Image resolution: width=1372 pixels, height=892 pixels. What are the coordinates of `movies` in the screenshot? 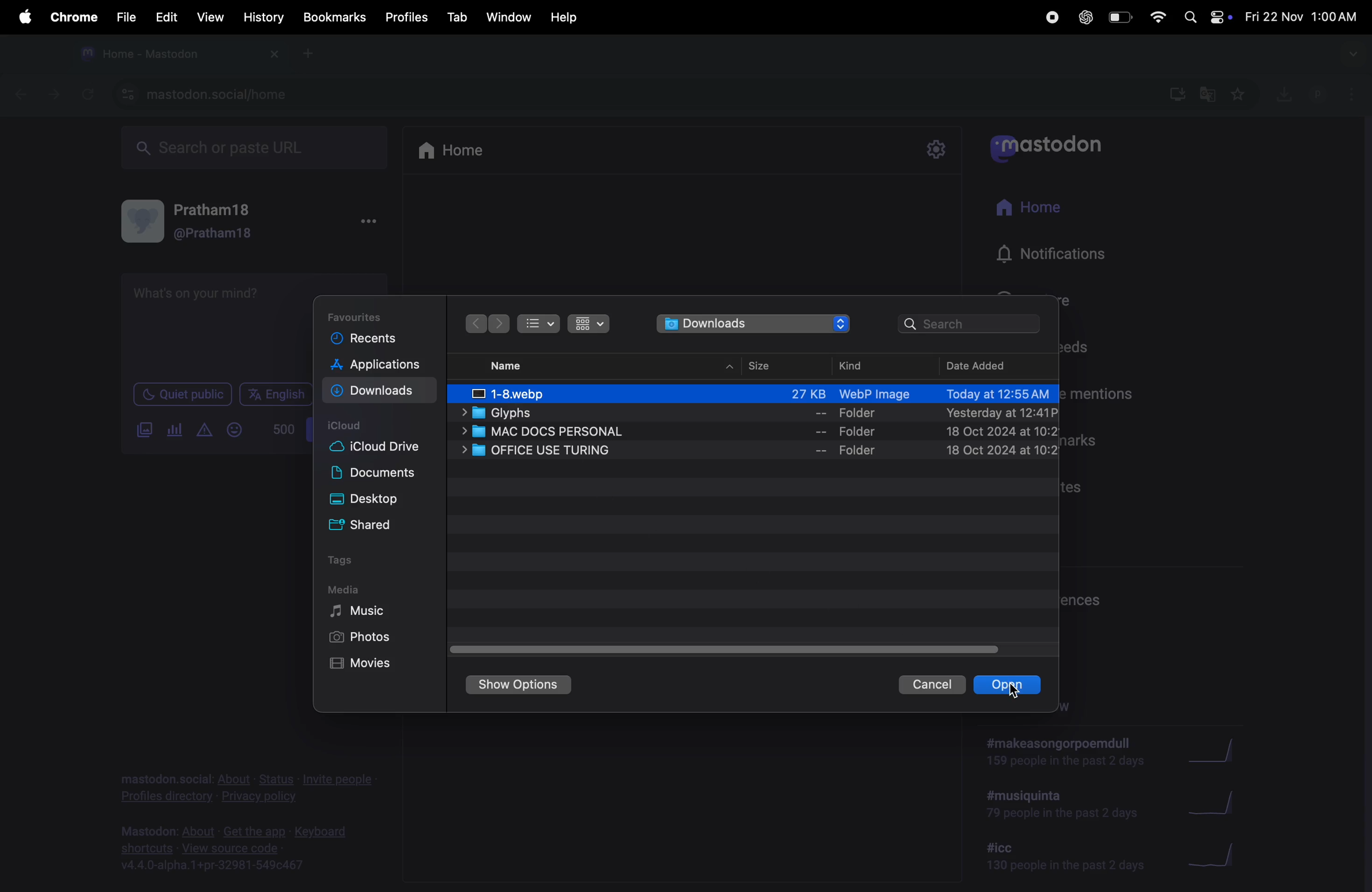 It's located at (360, 666).